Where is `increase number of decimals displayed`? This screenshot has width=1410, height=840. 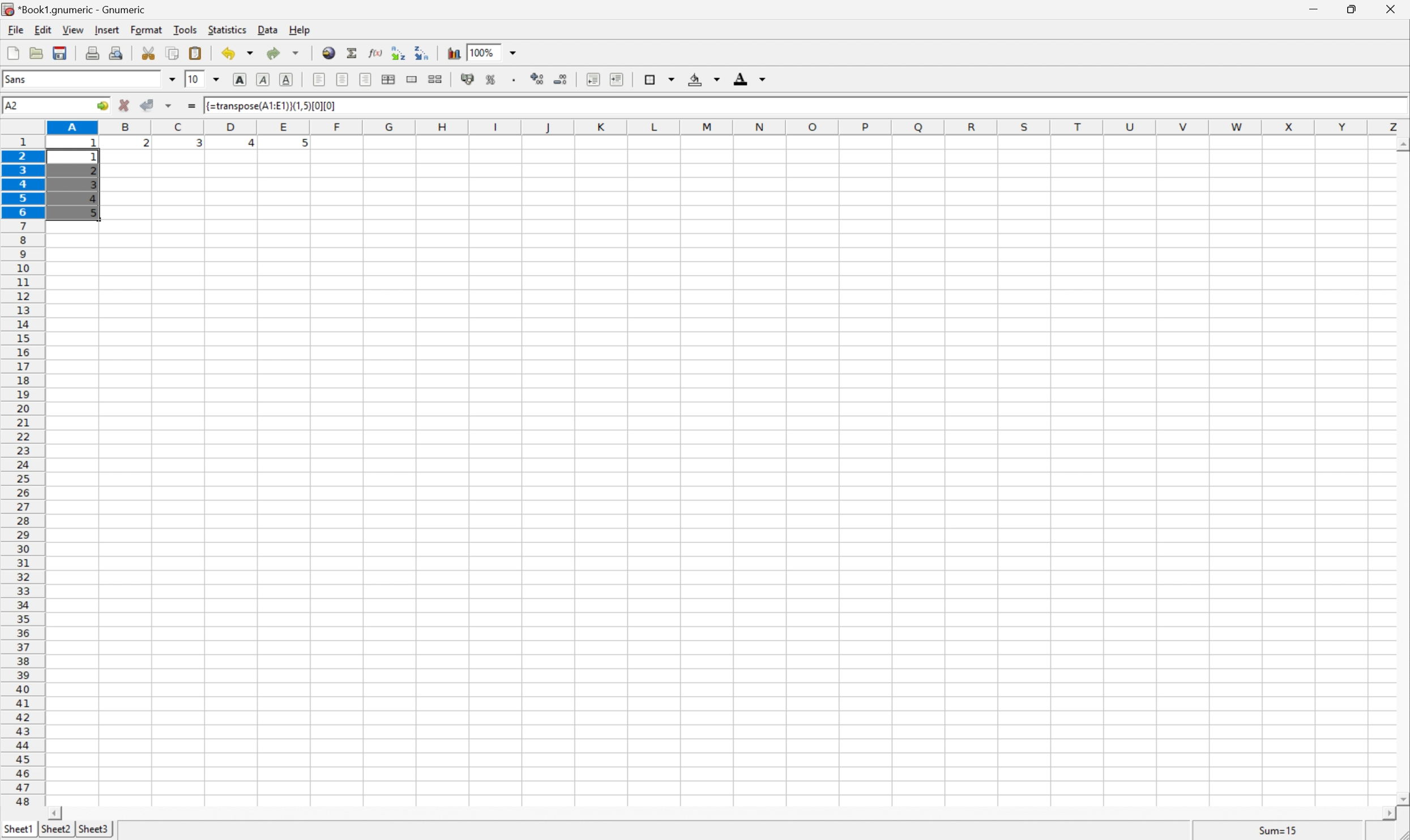
increase number of decimals displayed is located at coordinates (539, 79).